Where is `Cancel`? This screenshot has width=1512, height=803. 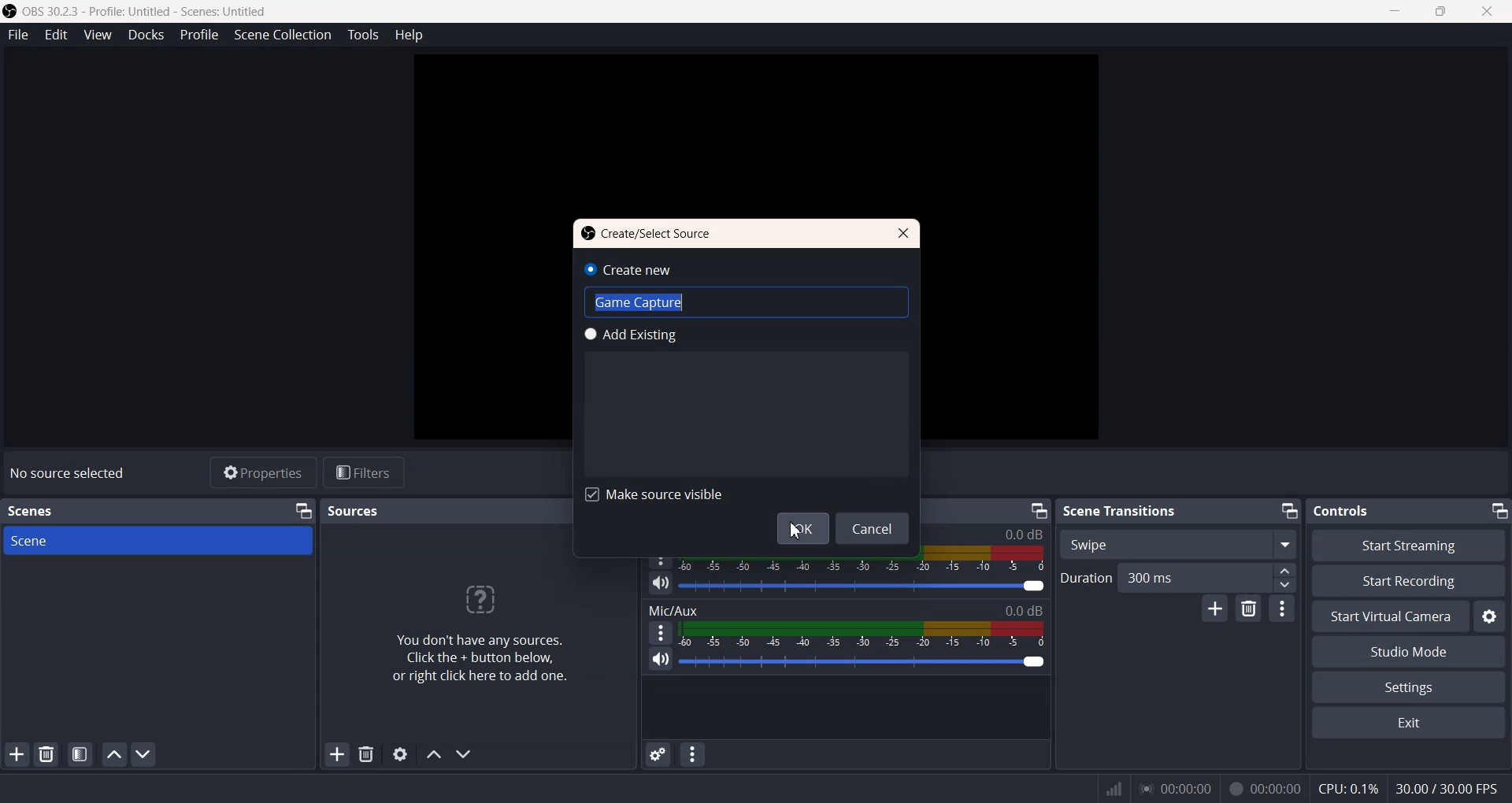 Cancel is located at coordinates (875, 527).